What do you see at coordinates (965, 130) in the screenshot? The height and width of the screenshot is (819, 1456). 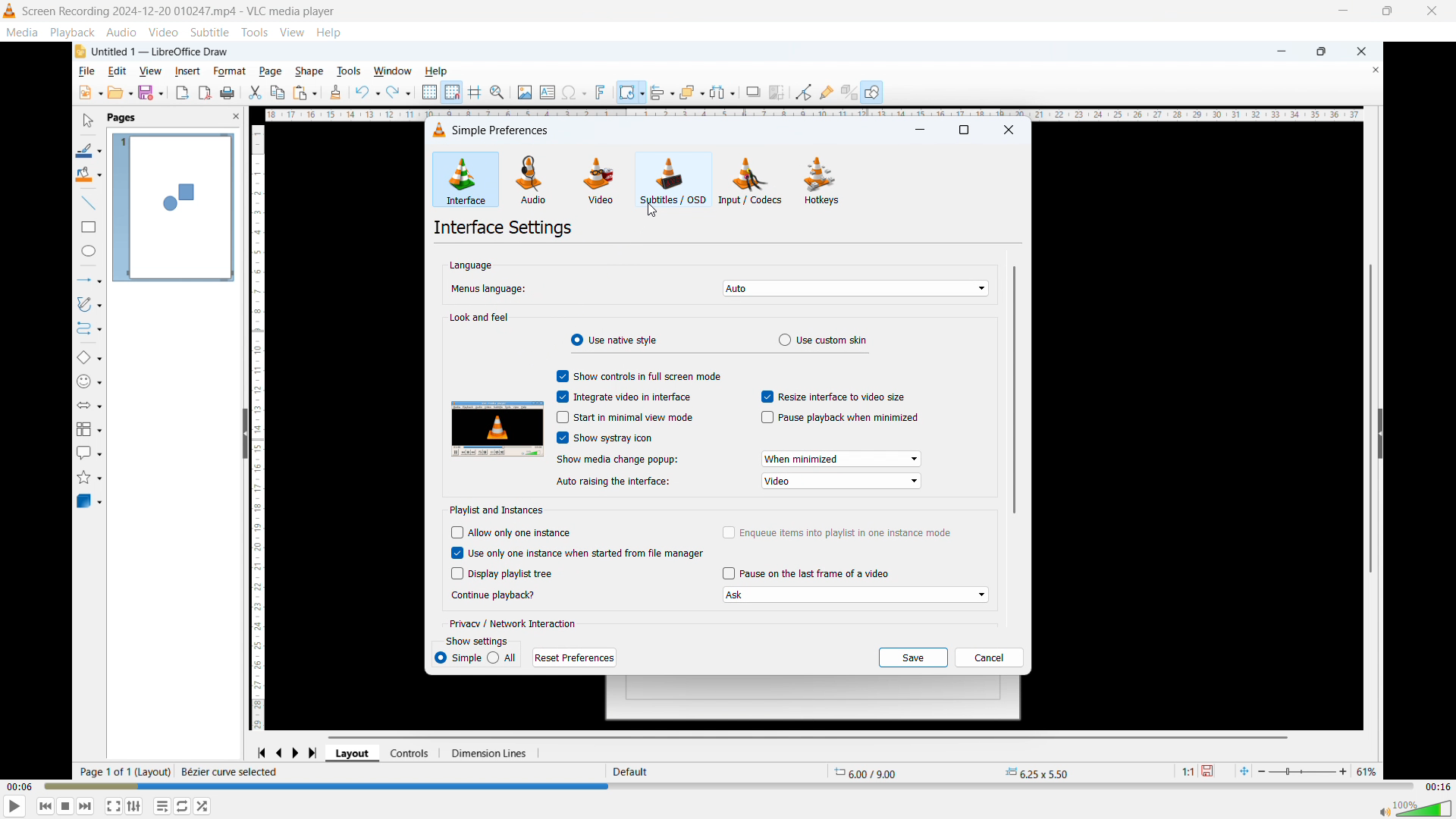 I see `maximise ` at bounding box center [965, 130].